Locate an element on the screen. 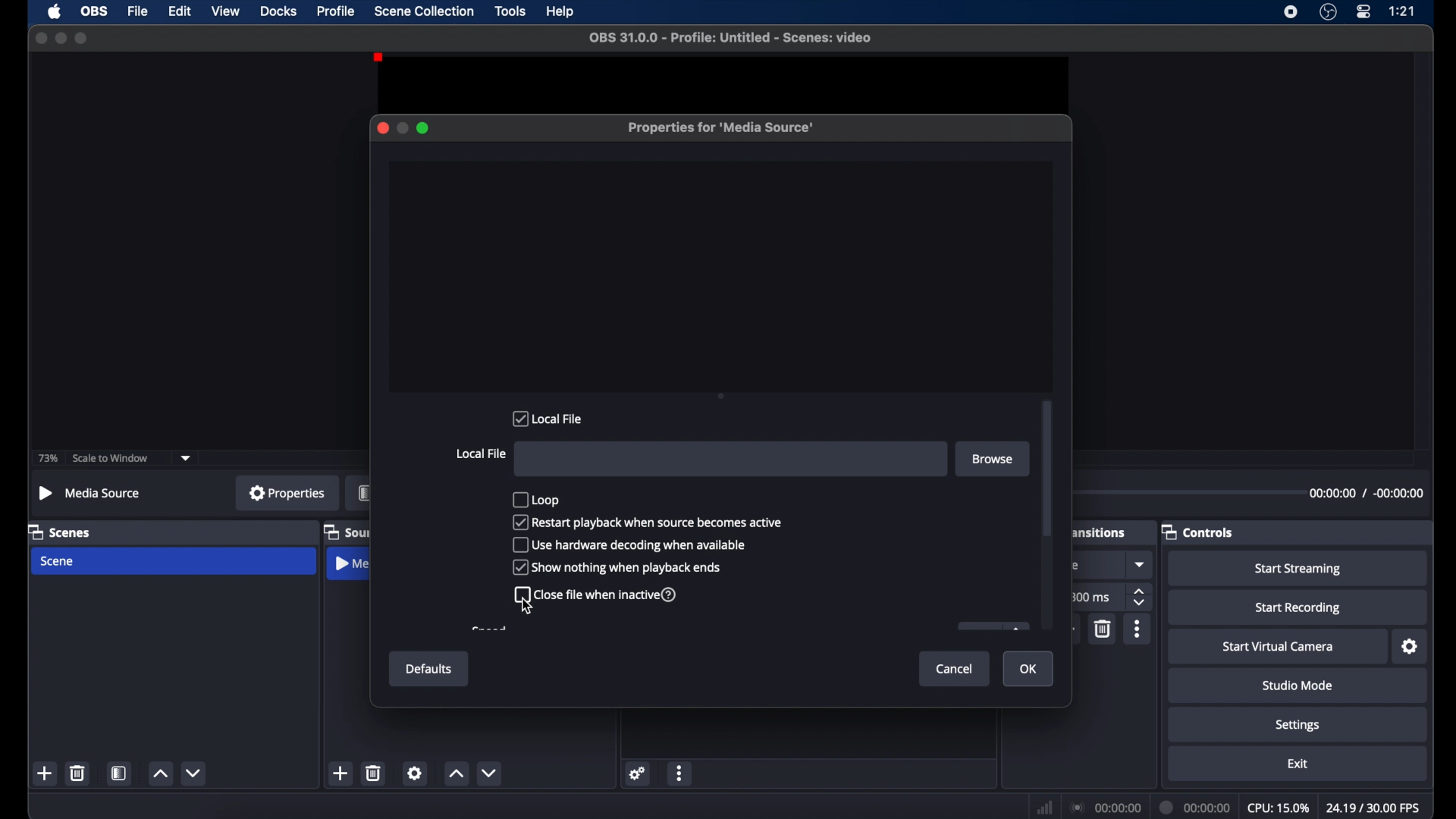 This screenshot has width=1456, height=819. maximize is located at coordinates (82, 38).